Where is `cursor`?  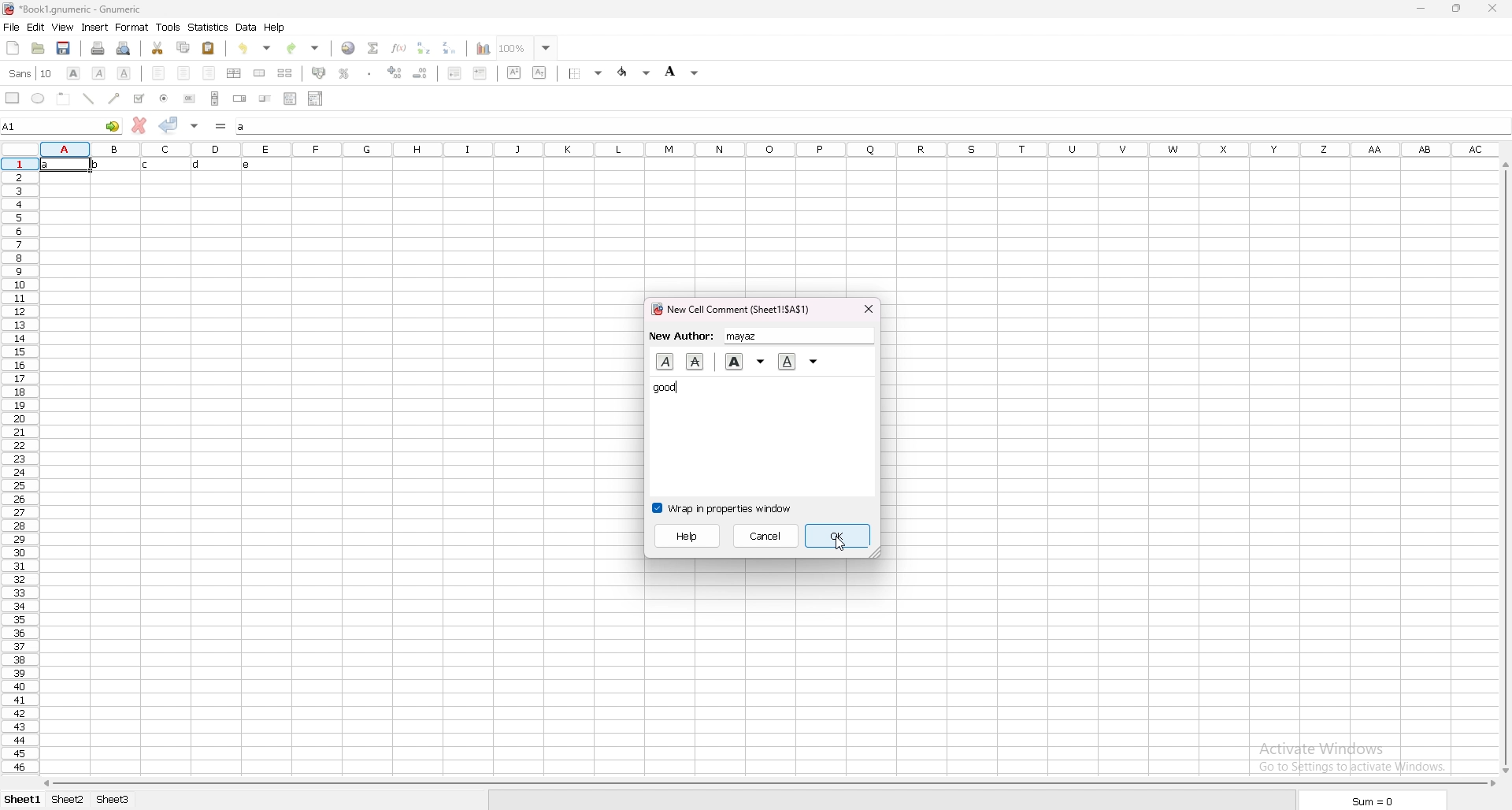 cursor is located at coordinates (839, 544).